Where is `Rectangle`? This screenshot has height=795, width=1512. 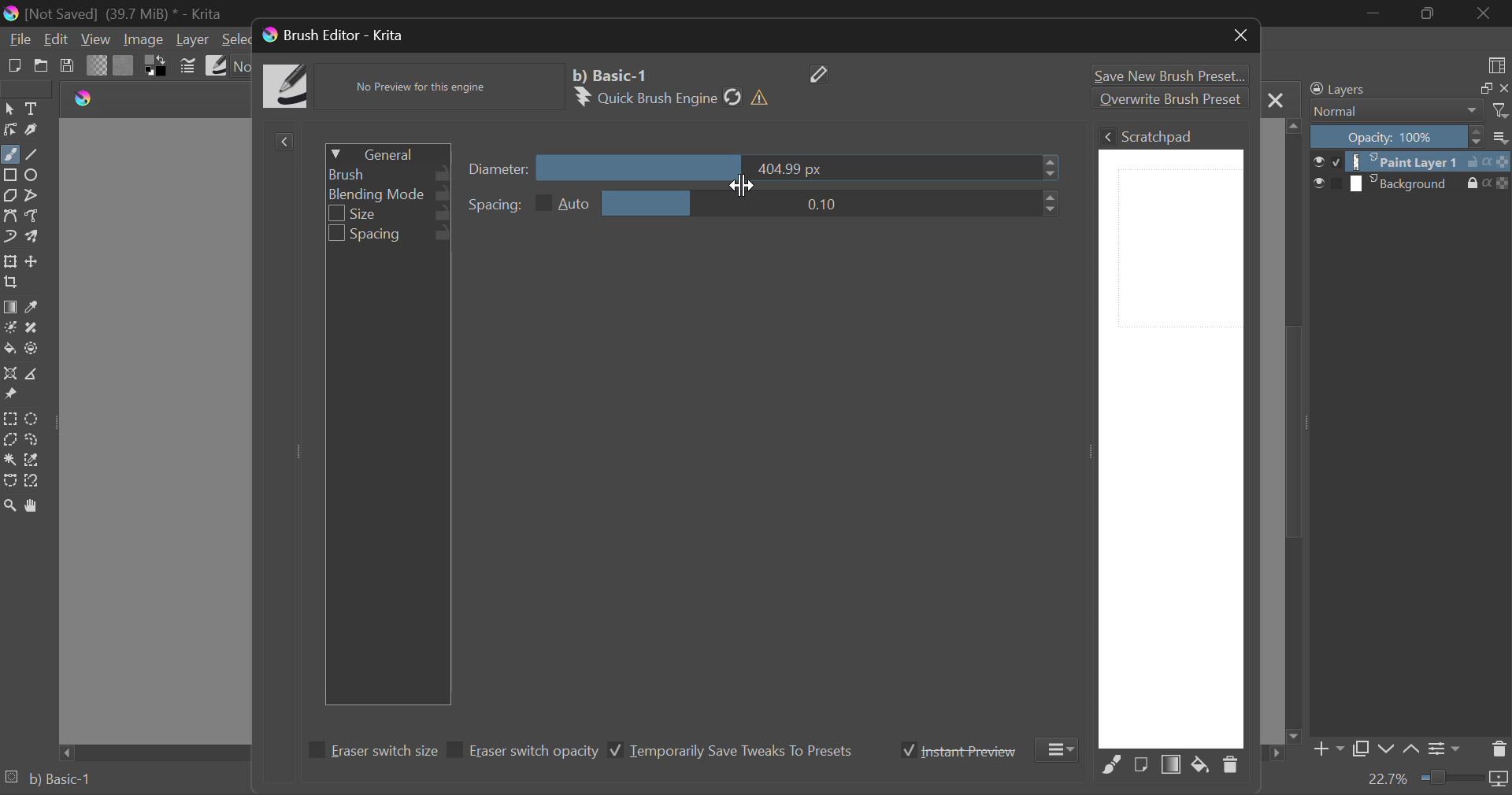
Rectangle is located at coordinates (9, 174).